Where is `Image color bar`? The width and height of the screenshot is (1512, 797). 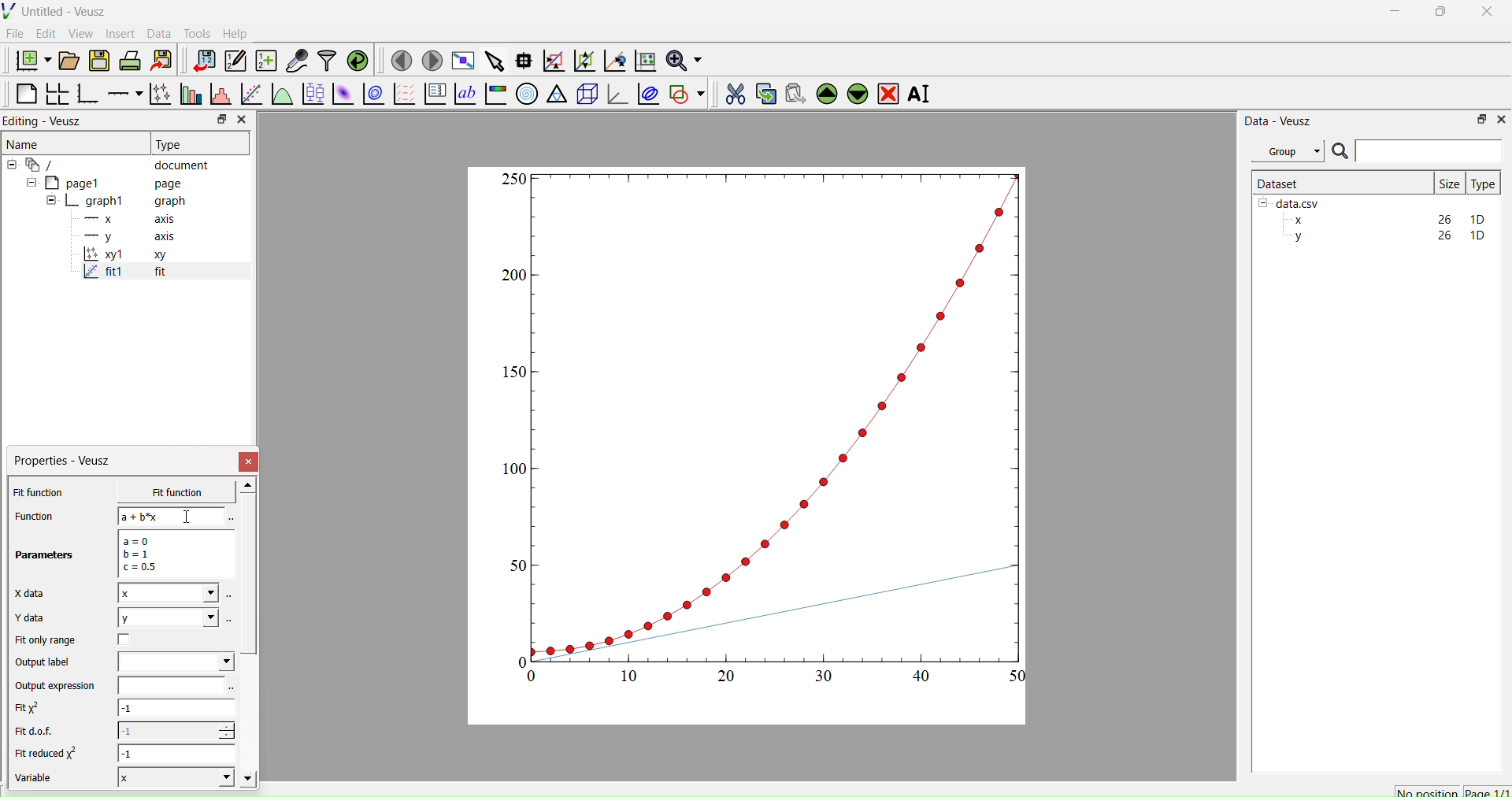
Image color bar is located at coordinates (494, 94).